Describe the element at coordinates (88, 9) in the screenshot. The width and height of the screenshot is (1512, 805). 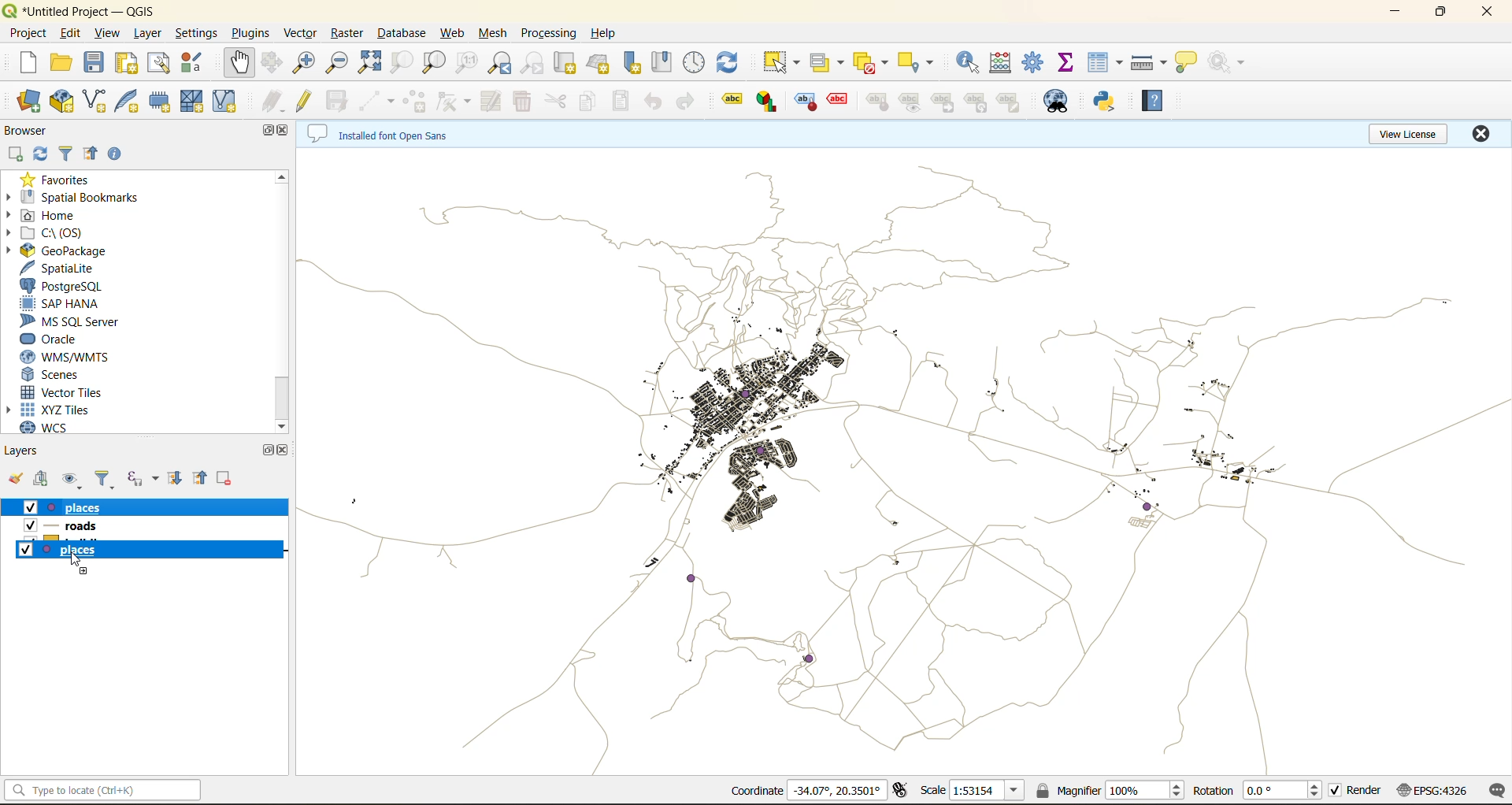
I see `file name and app name` at that location.